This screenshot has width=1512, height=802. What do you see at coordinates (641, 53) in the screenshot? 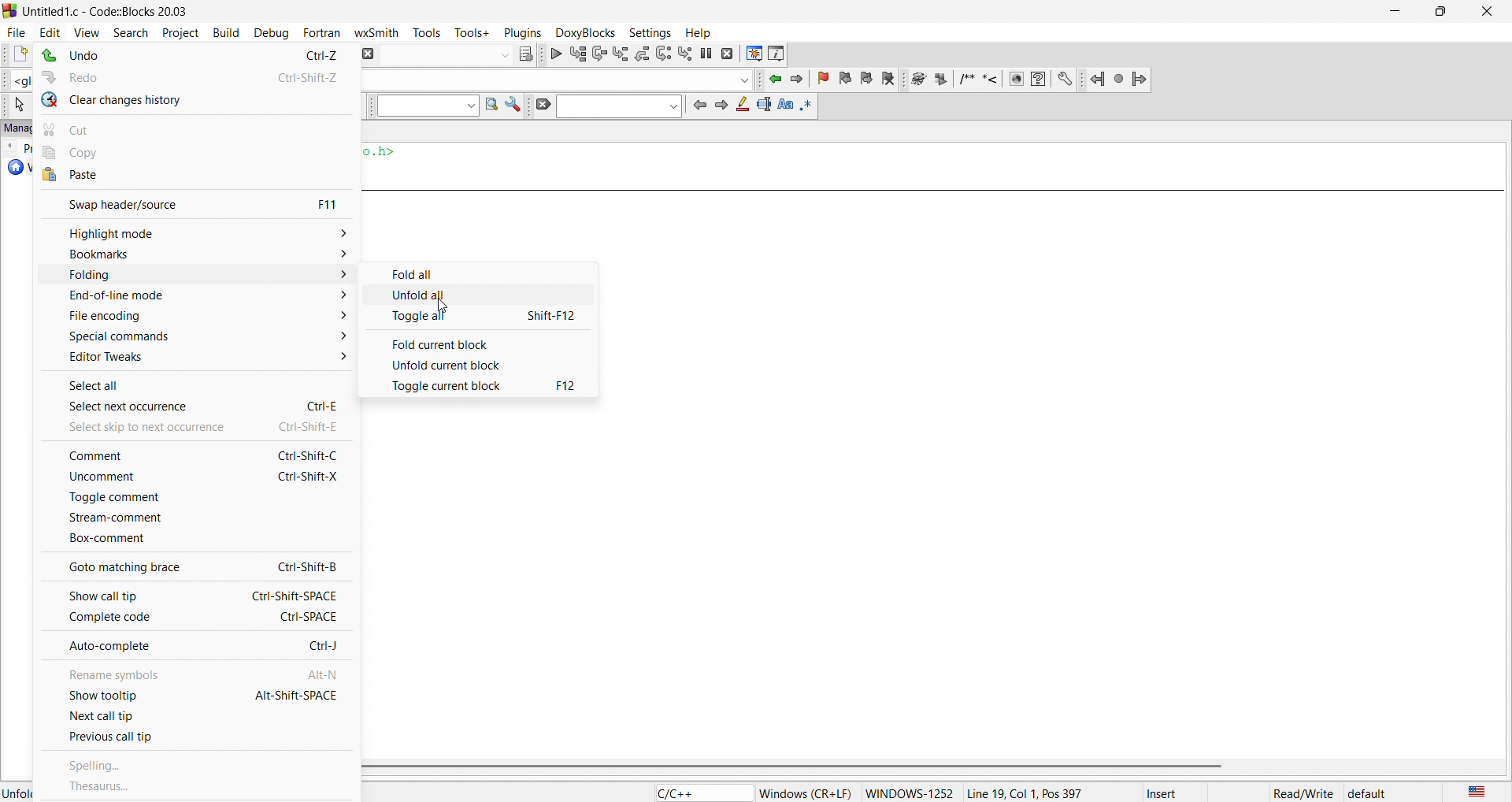
I see `step out` at bounding box center [641, 53].